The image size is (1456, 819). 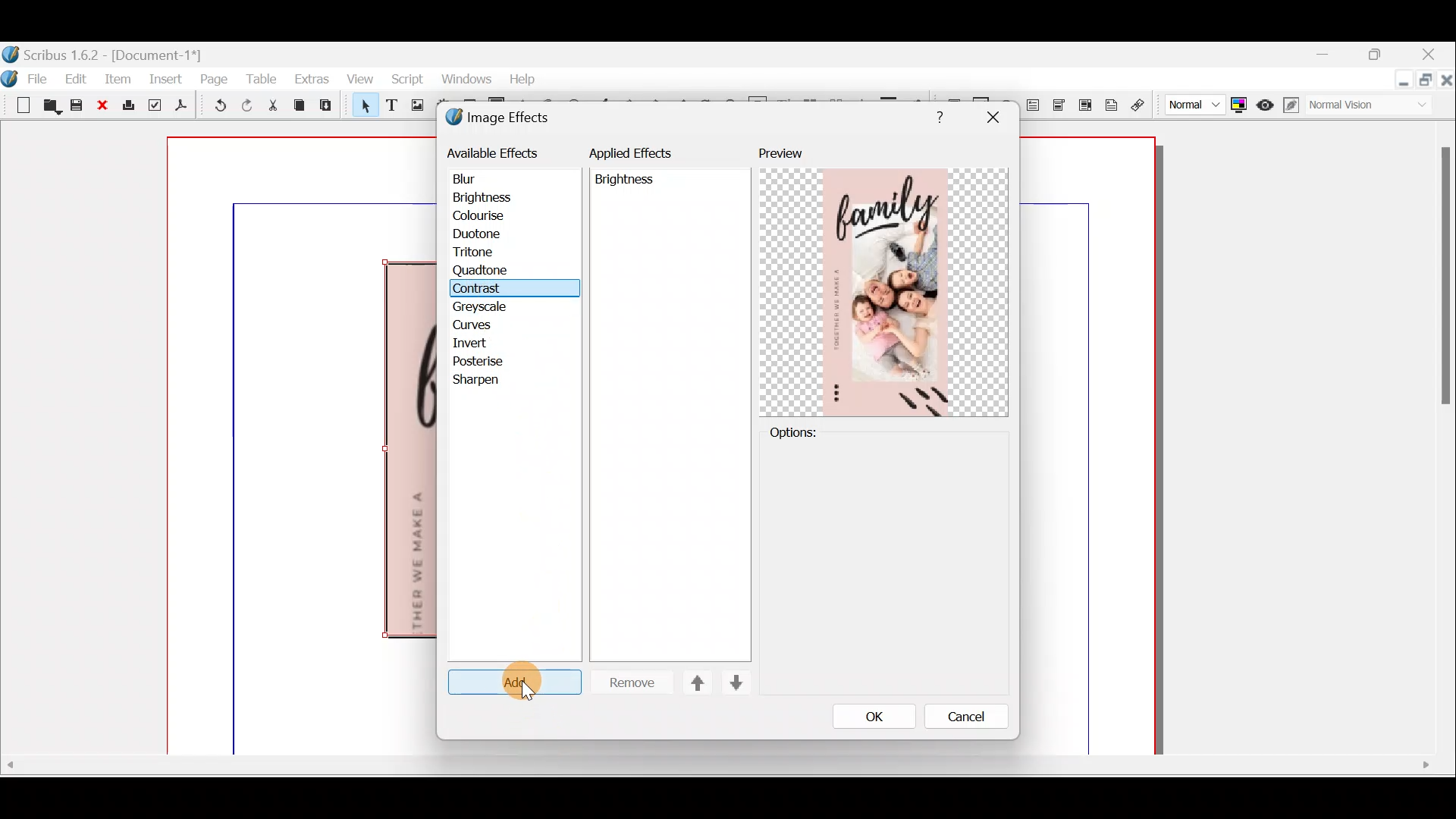 What do you see at coordinates (992, 118) in the screenshot?
I see `` at bounding box center [992, 118].